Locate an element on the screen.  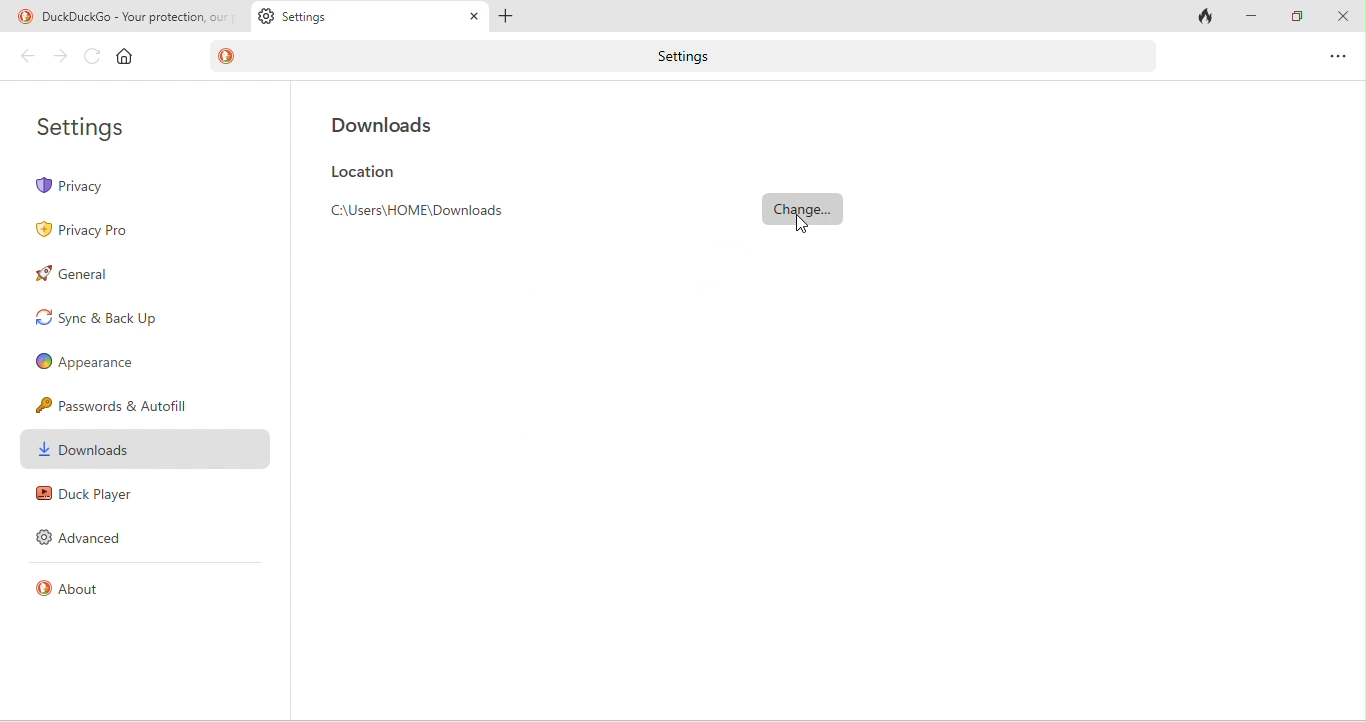
general is located at coordinates (87, 279).